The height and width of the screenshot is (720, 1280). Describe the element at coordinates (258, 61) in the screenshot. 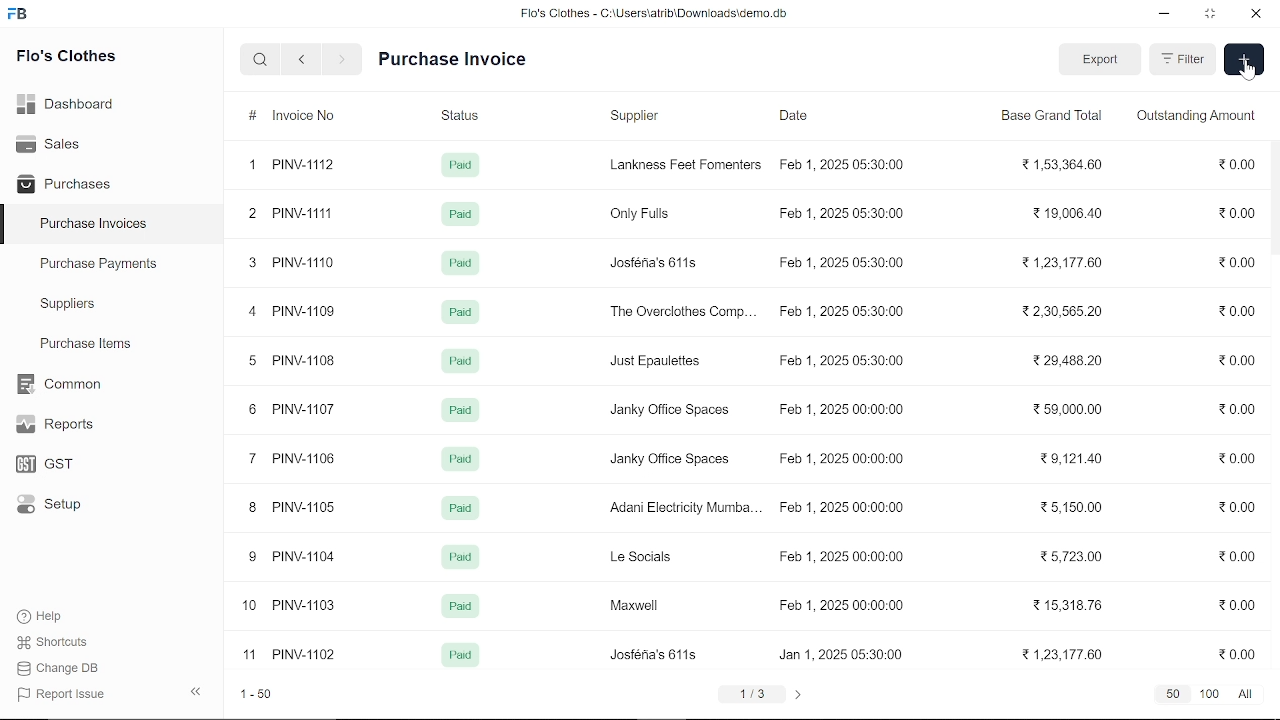

I see `serach` at that location.